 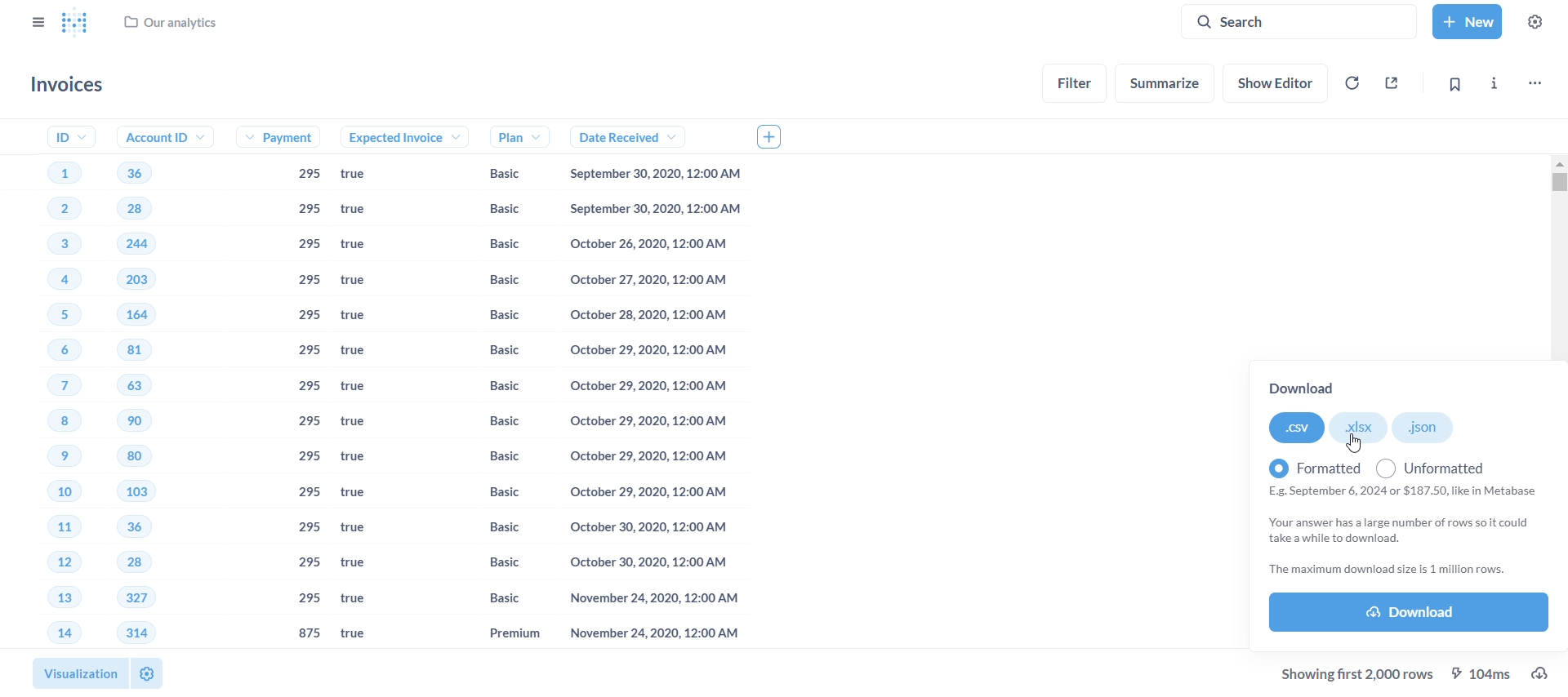 What do you see at coordinates (308, 245) in the screenshot?
I see `295` at bounding box center [308, 245].